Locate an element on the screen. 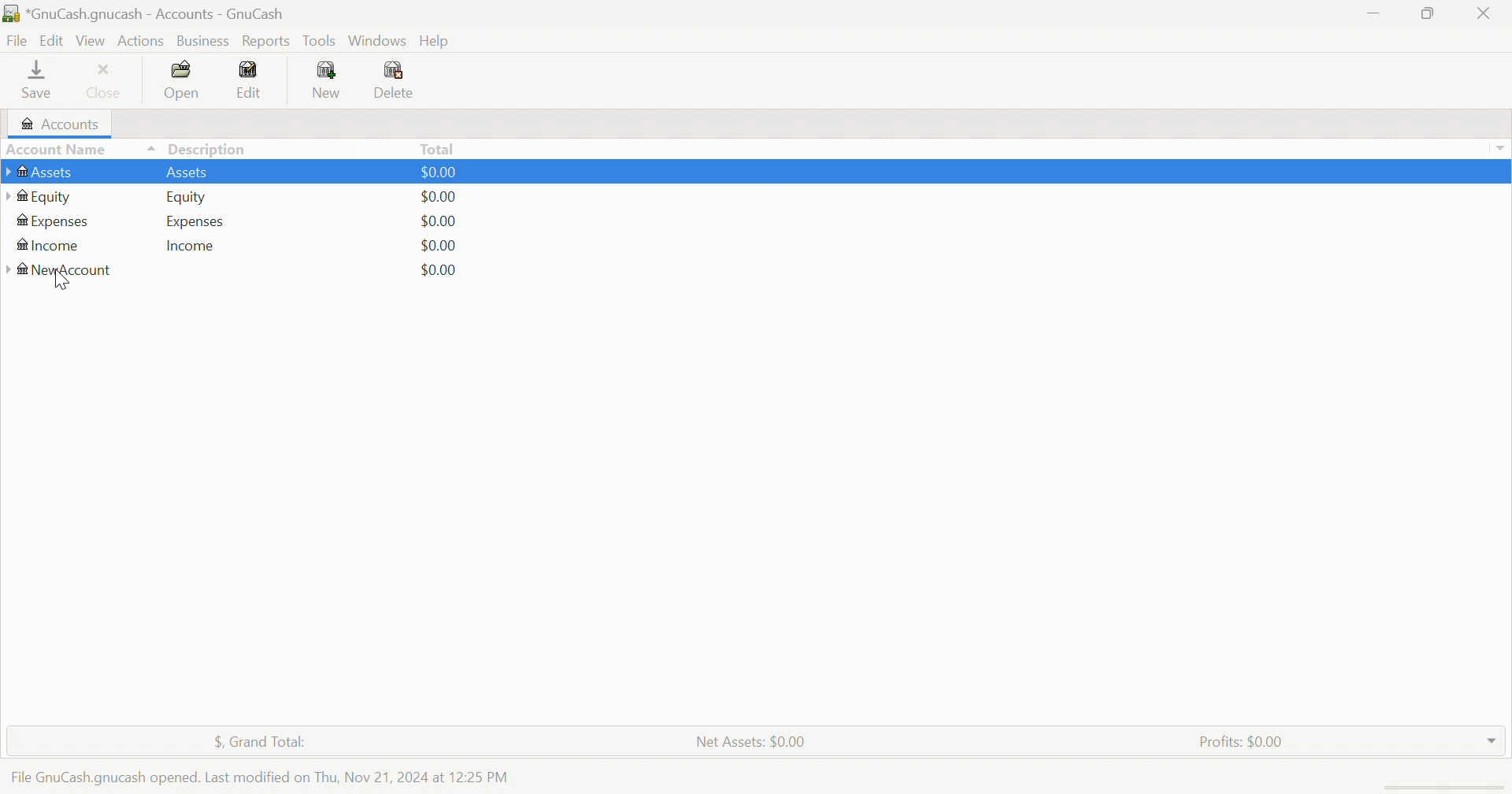  Income is located at coordinates (46, 247).